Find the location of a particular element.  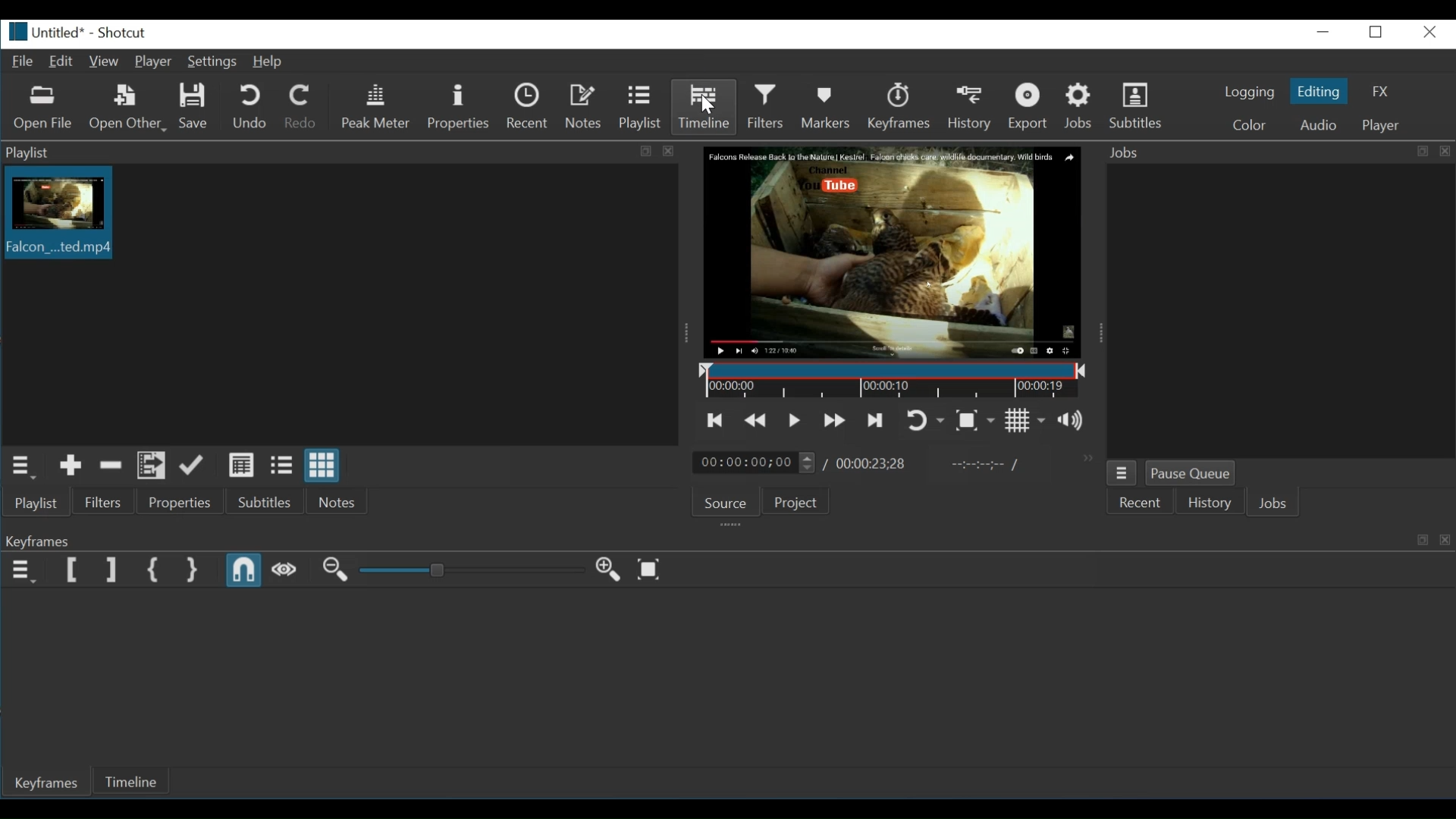

View is located at coordinates (103, 62).